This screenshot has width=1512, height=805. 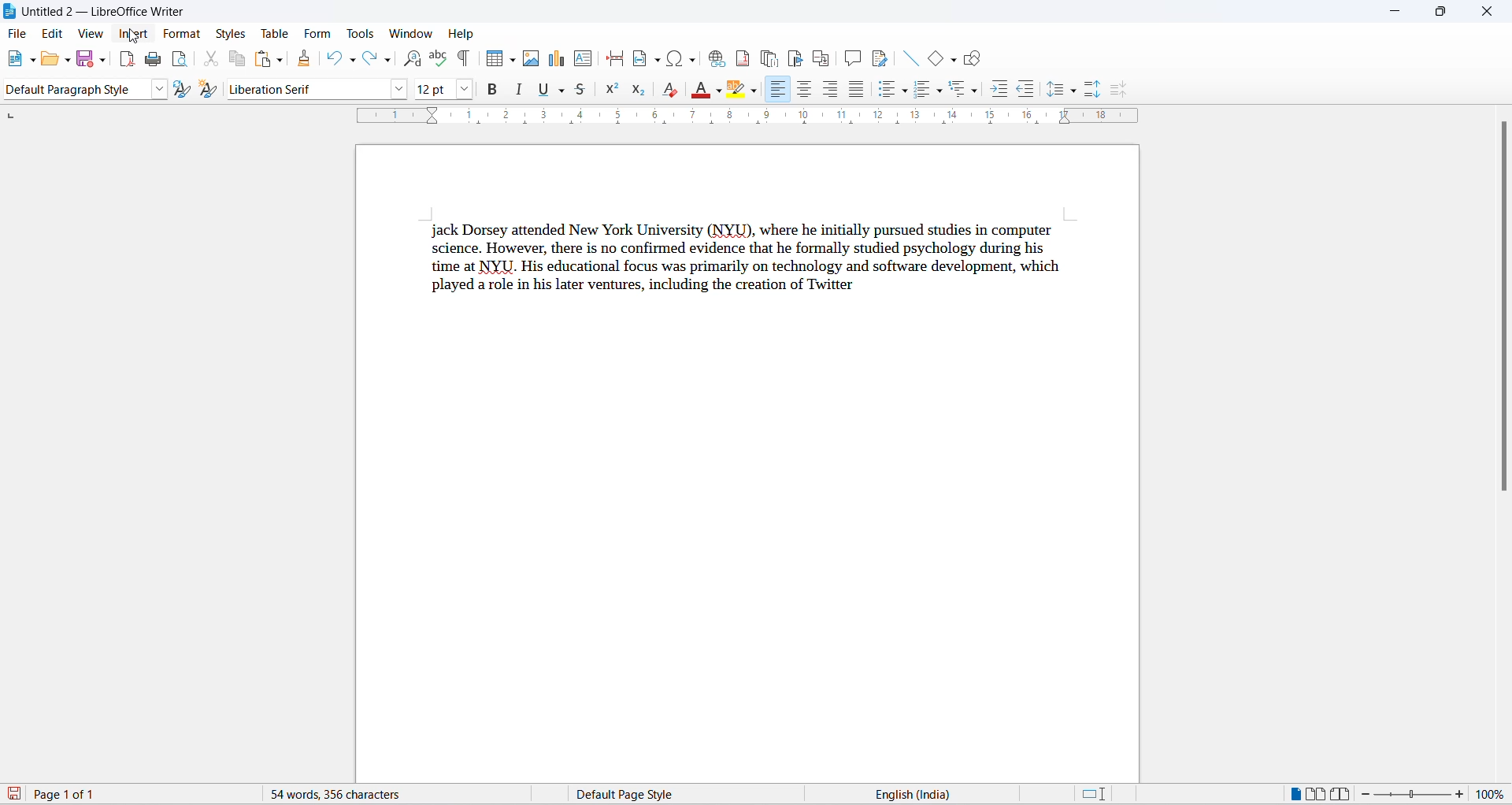 What do you see at coordinates (211, 90) in the screenshot?
I see `new style form selection` at bounding box center [211, 90].